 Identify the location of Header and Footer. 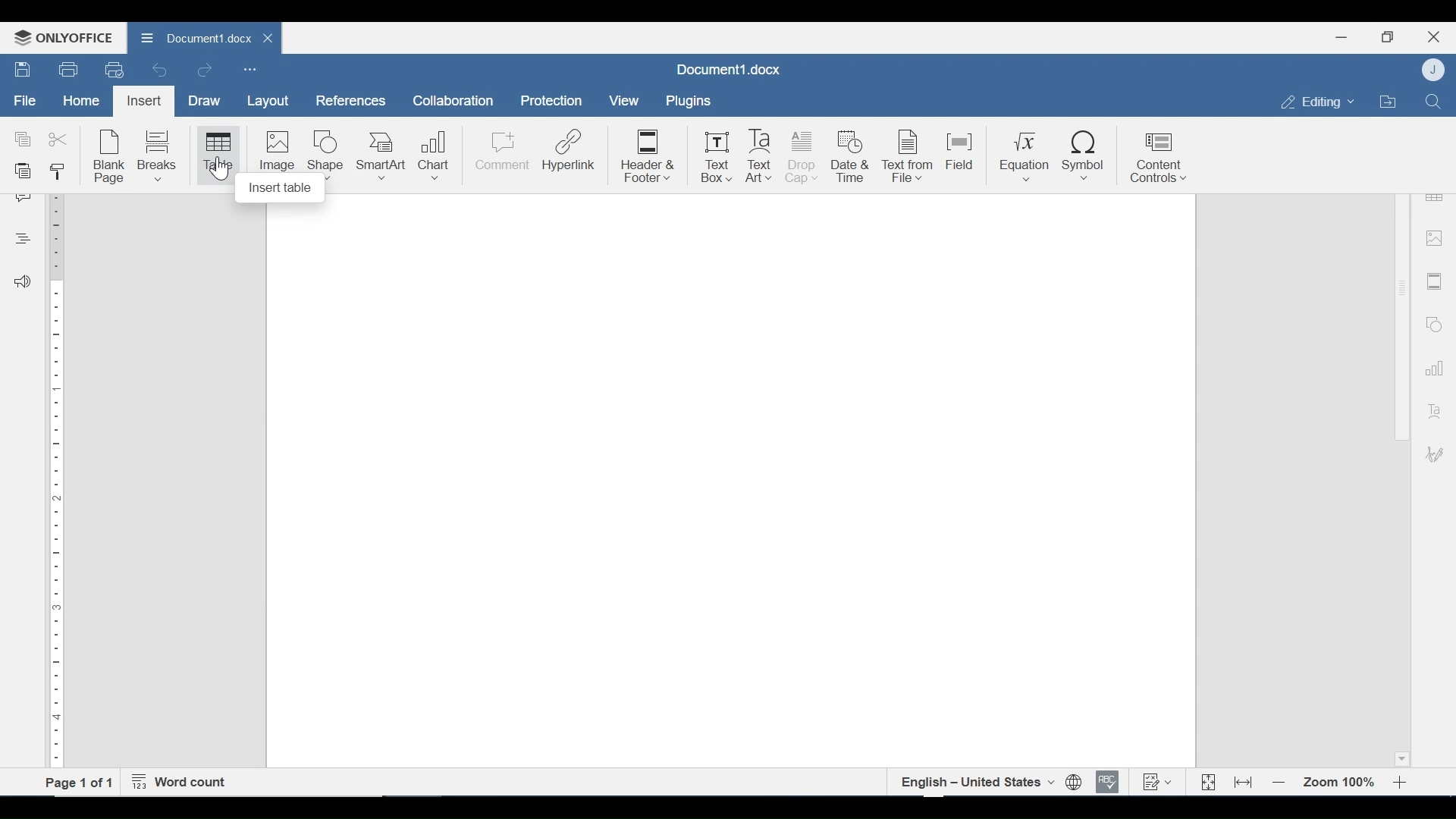
(1435, 282).